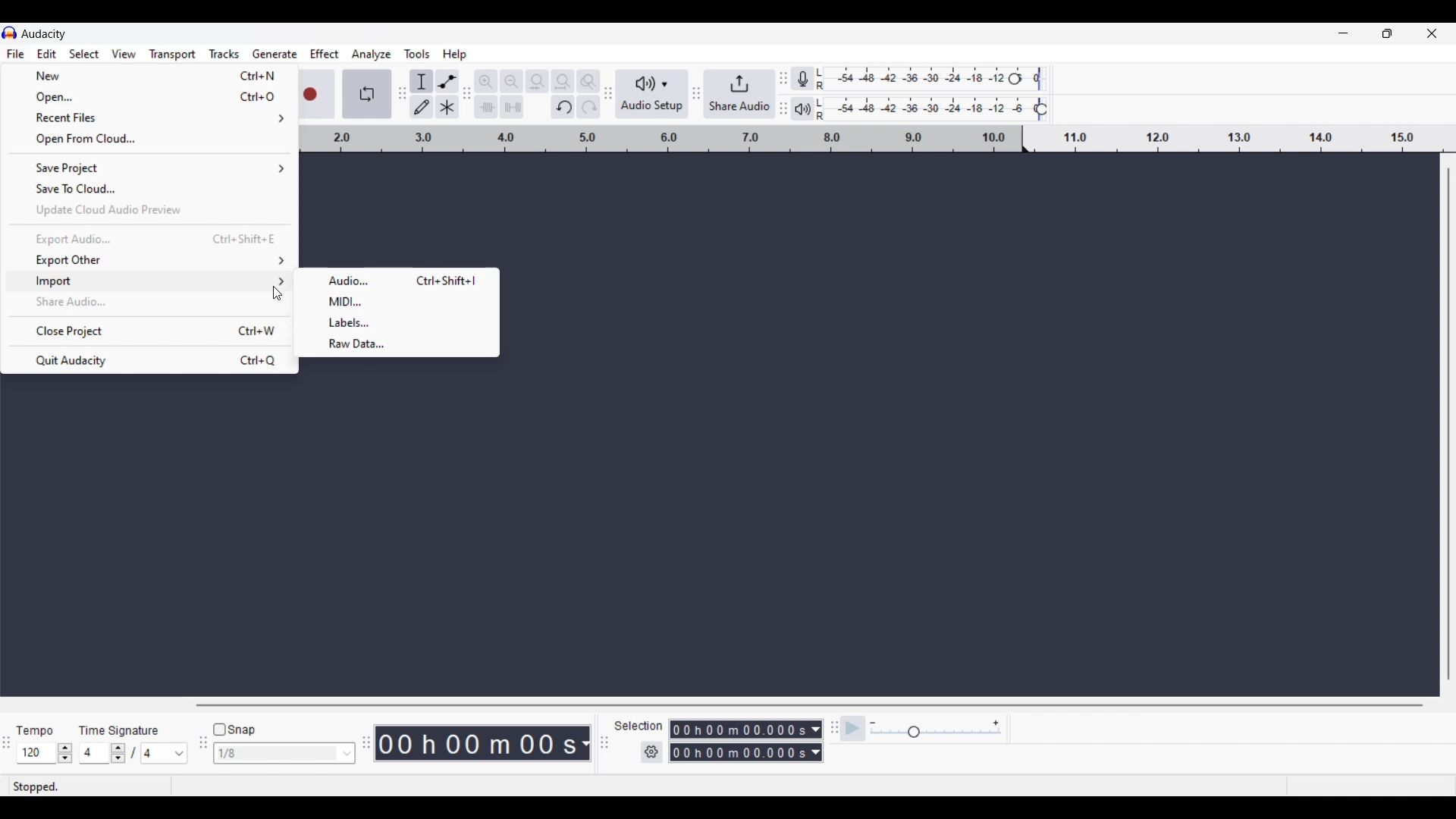  Describe the element at coordinates (150, 189) in the screenshot. I see `Save to cloud` at that location.